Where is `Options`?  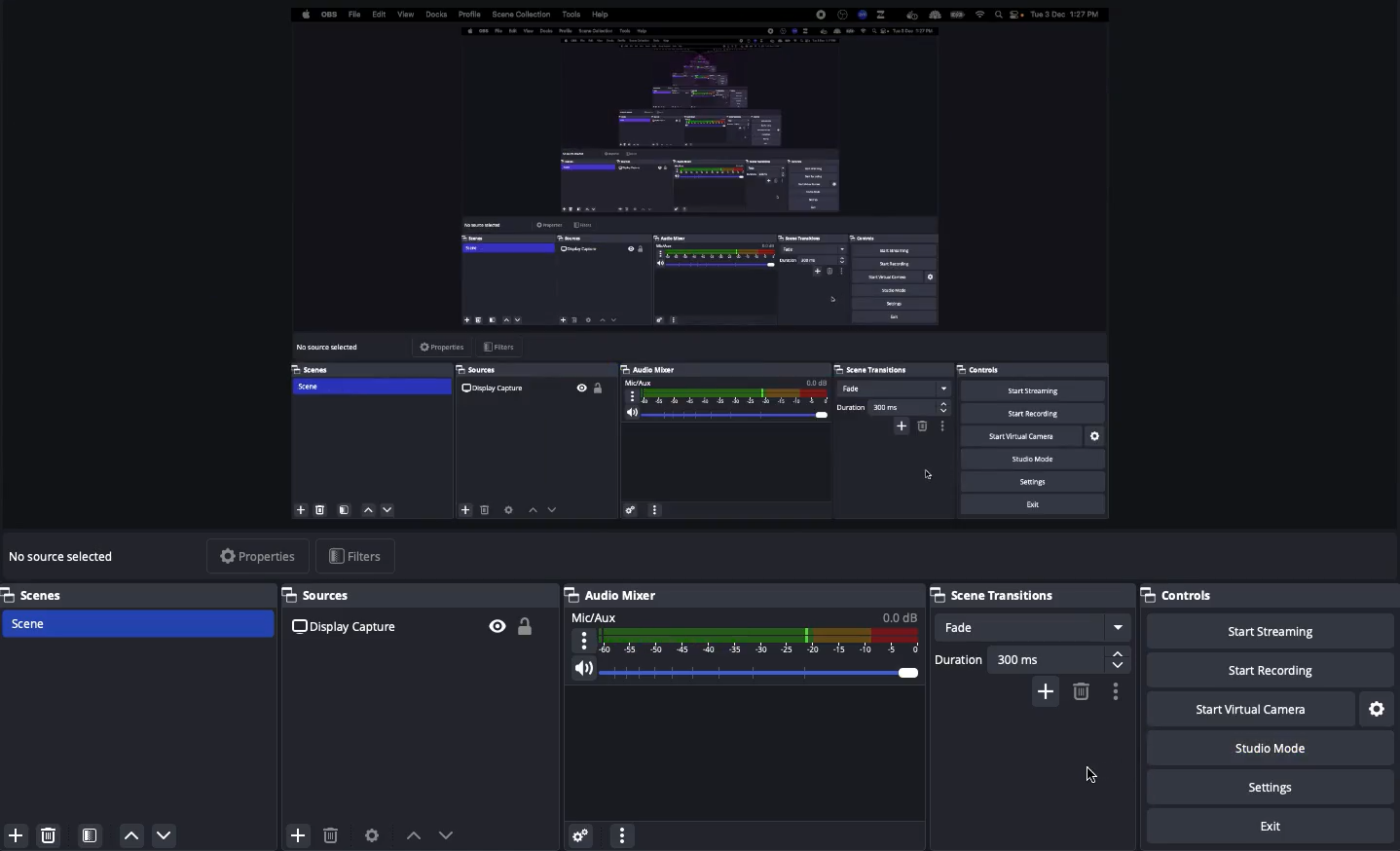
Options is located at coordinates (1113, 692).